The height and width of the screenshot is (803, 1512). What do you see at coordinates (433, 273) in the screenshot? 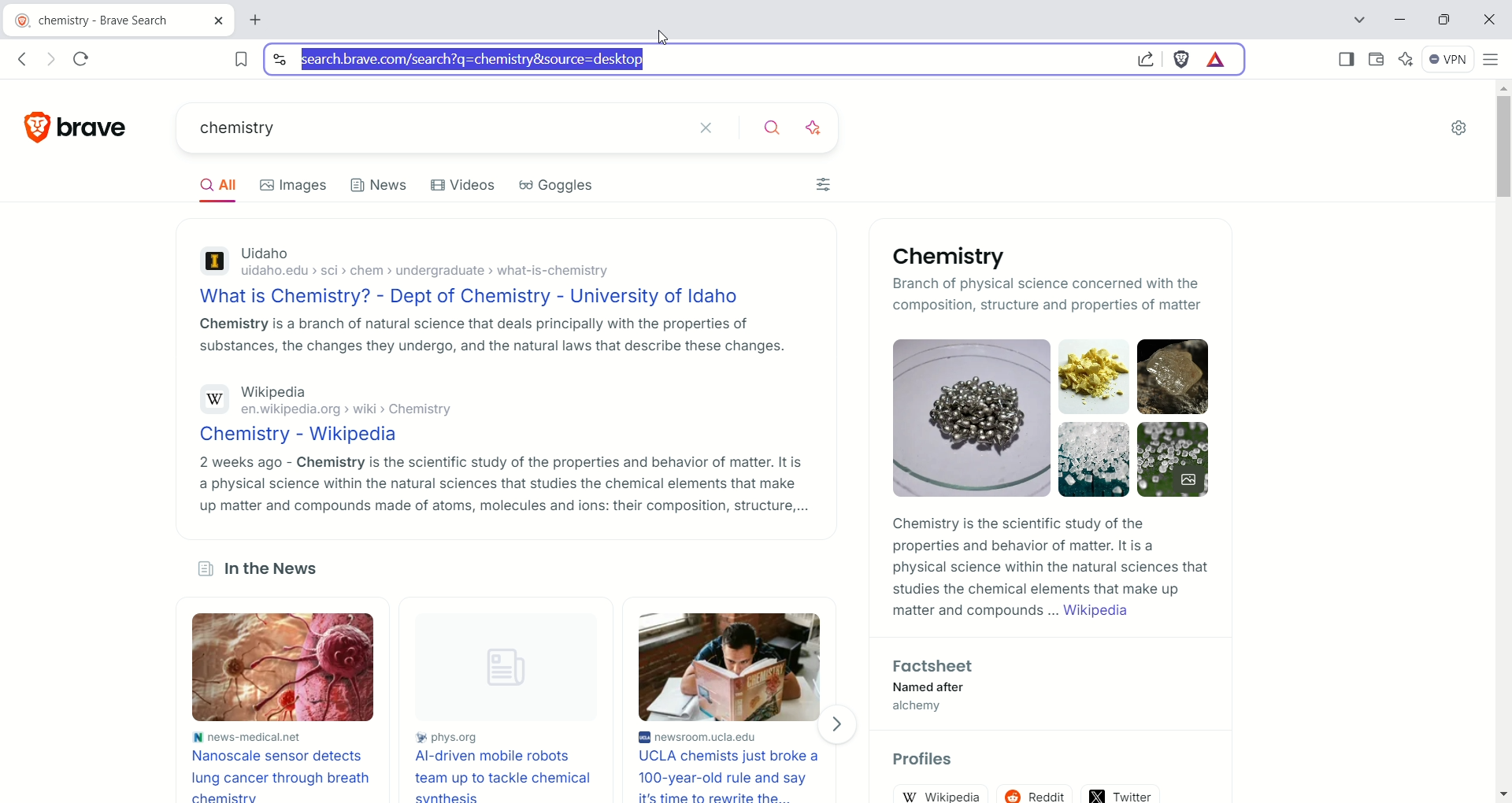
I see `uidaho.edu > sci > chem > undergraduate > what-is-chemistry` at bounding box center [433, 273].